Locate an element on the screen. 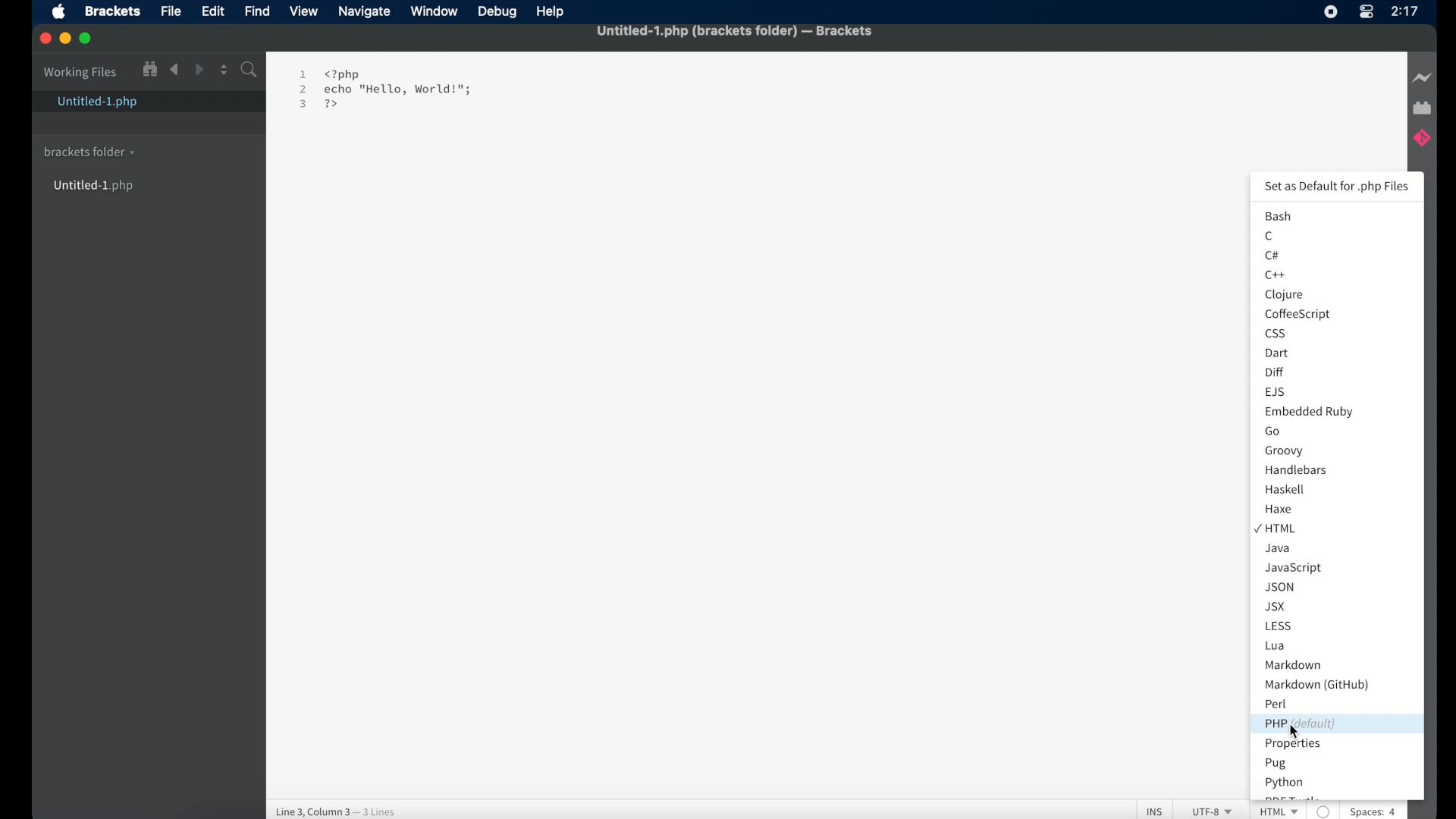 This screenshot has height=819, width=1456. backward is located at coordinates (174, 70).